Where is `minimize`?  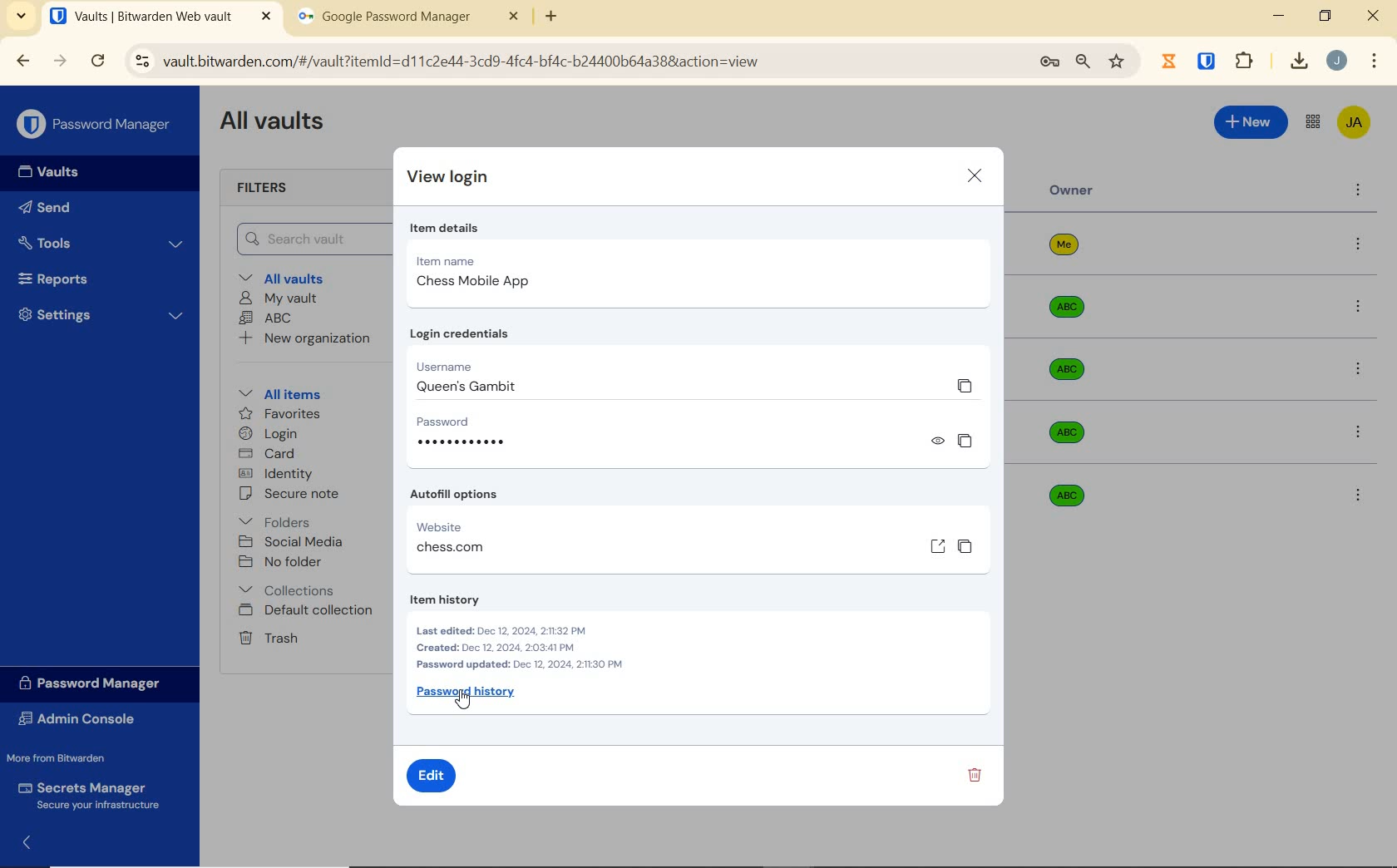
minimize is located at coordinates (1281, 16).